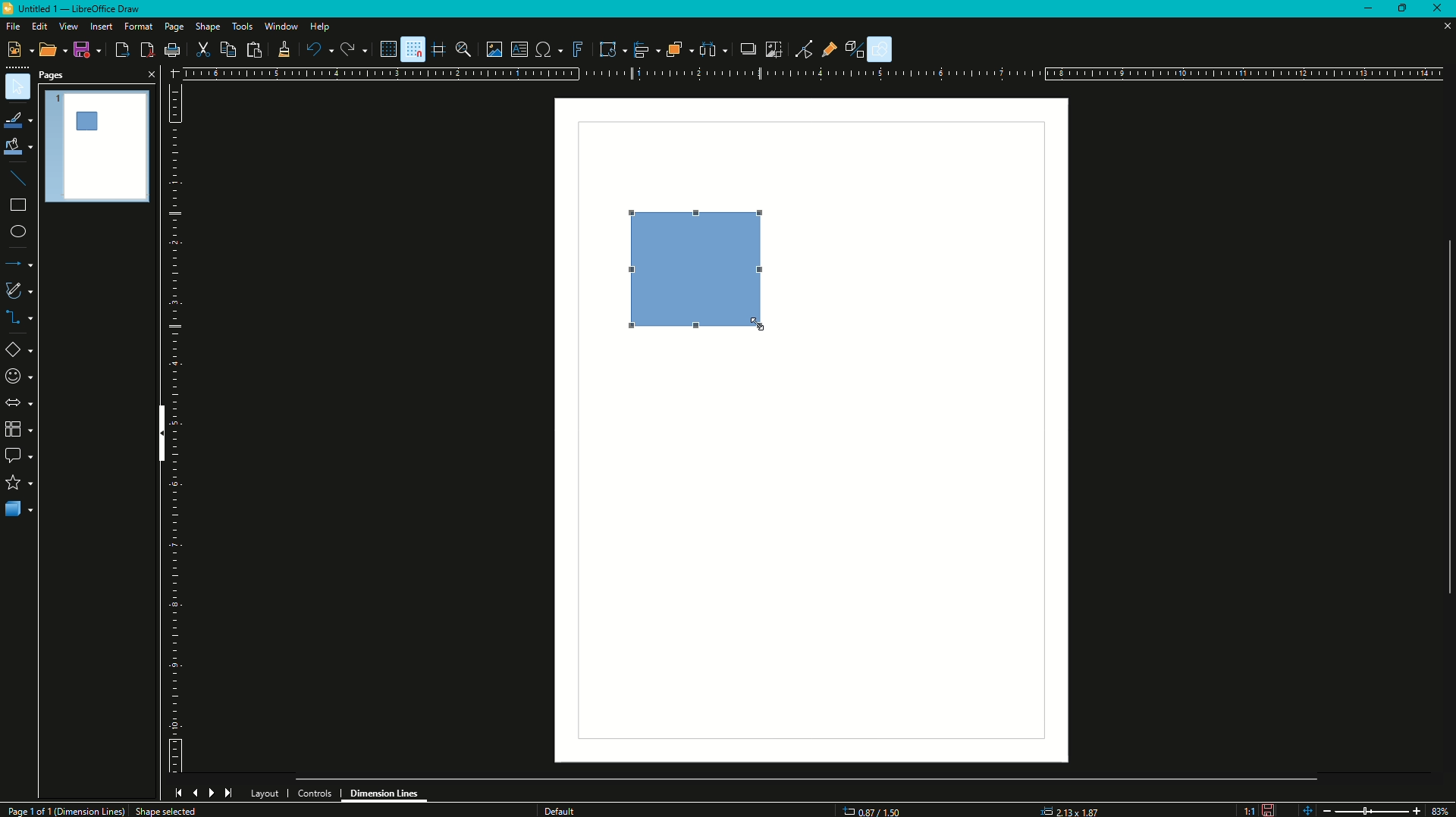 This screenshot has height=817, width=1456. I want to click on Clone Formatting, so click(284, 50).